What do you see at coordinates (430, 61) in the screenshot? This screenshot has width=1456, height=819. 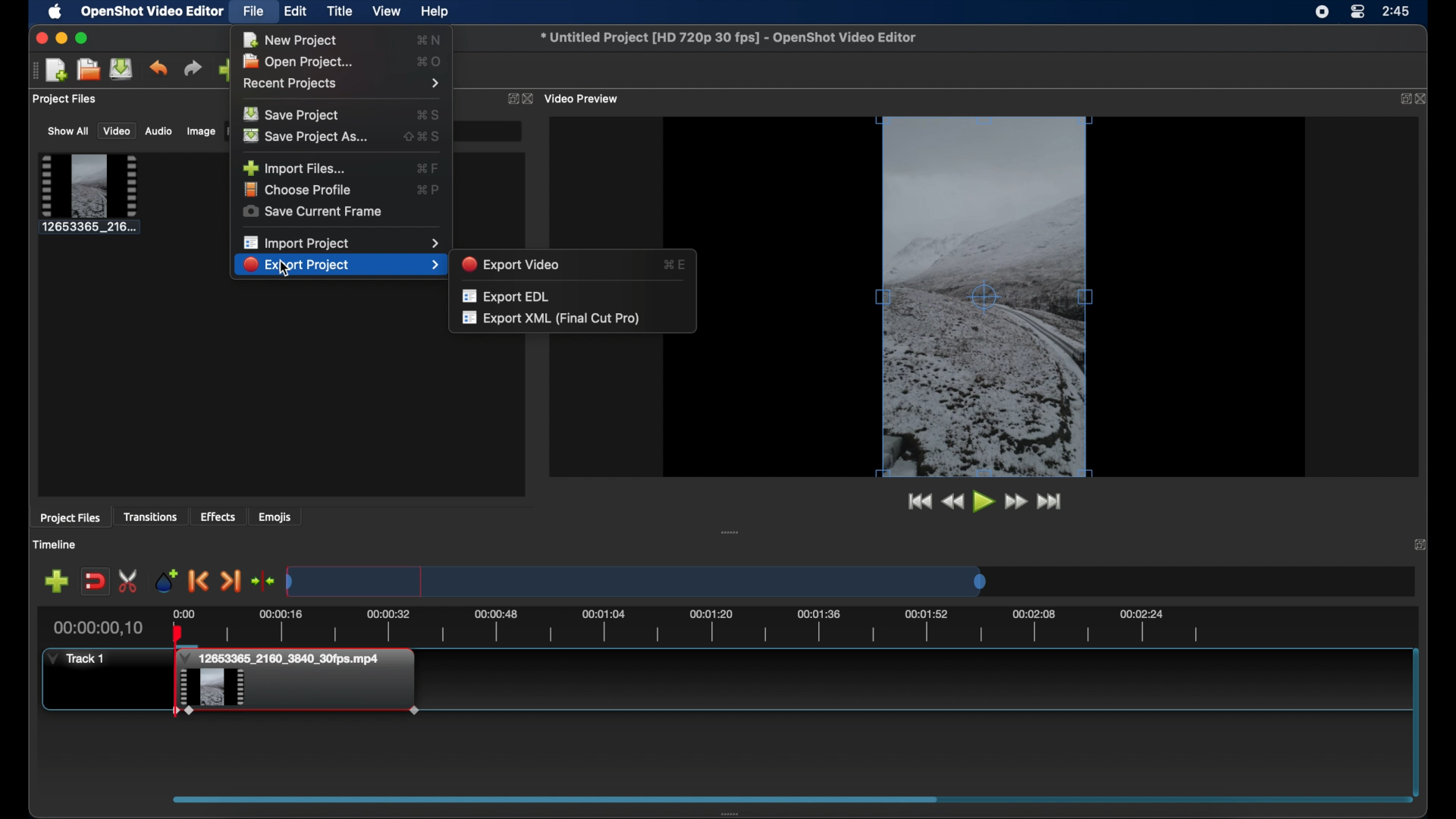 I see `open project  shortcut` at bounding box center [430, 61].